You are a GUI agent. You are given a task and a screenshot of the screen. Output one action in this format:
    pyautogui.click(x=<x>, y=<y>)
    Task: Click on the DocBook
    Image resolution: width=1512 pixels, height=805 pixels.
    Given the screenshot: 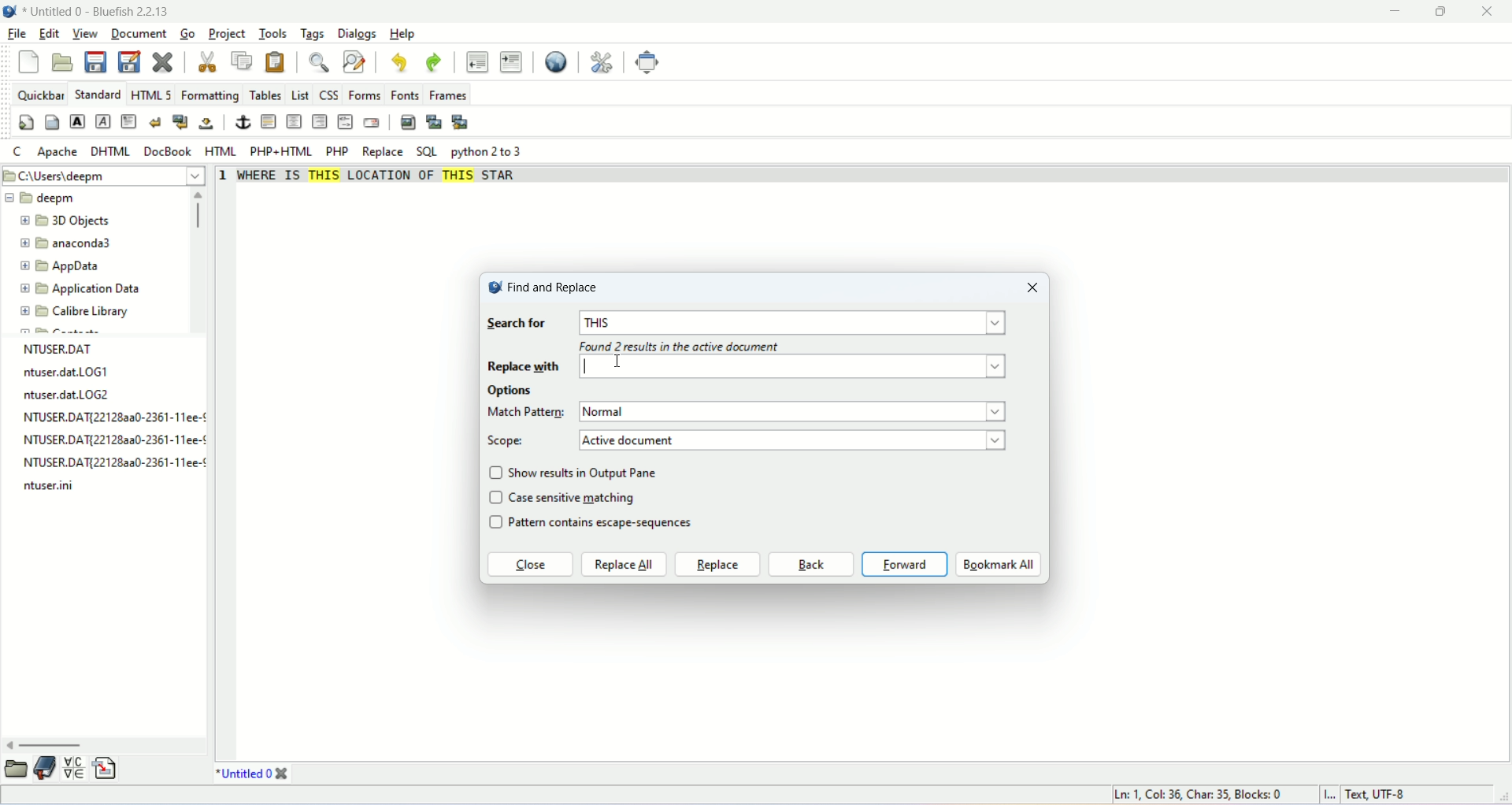 What is the action you would take?
    pyautogui.click(x=169, y=150)
    